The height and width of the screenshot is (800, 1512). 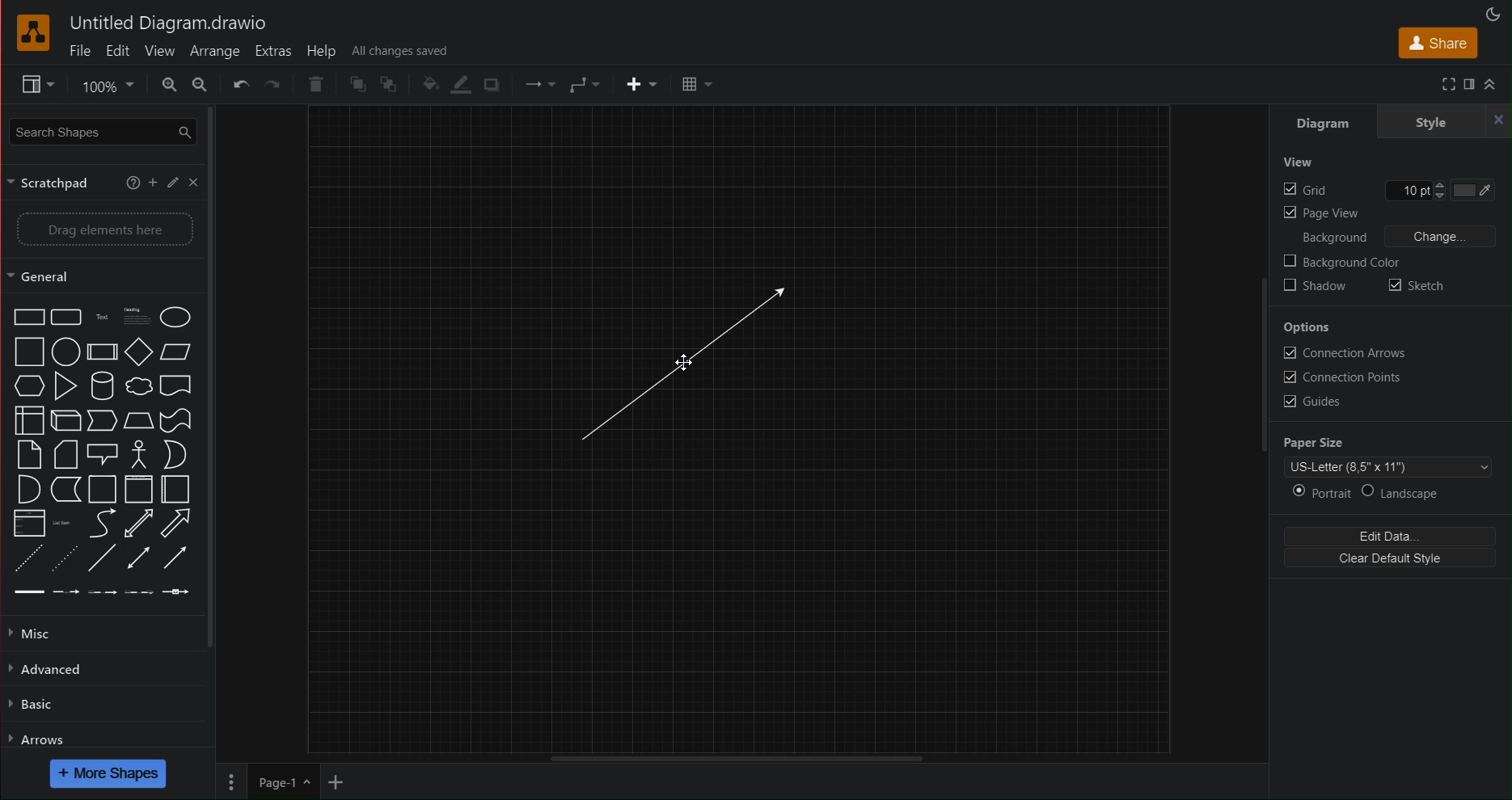 What do you see at coordinates (1316, 287) in the screenshot?
I see `Shadow` at bounding box center [1316, 287].